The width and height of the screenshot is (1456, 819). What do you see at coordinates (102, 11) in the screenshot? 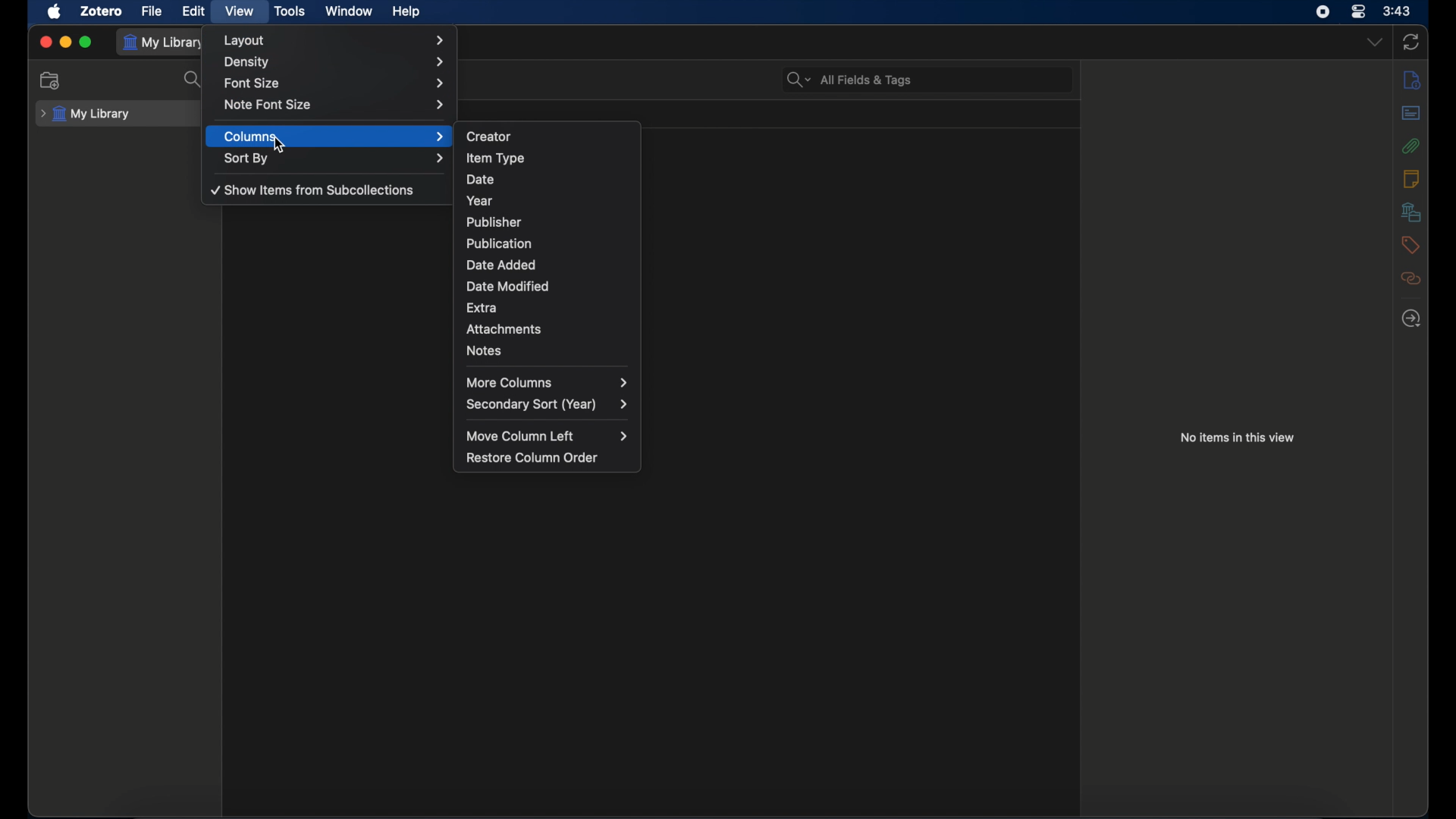
I see `zotero` at bounding box center [102, 11].